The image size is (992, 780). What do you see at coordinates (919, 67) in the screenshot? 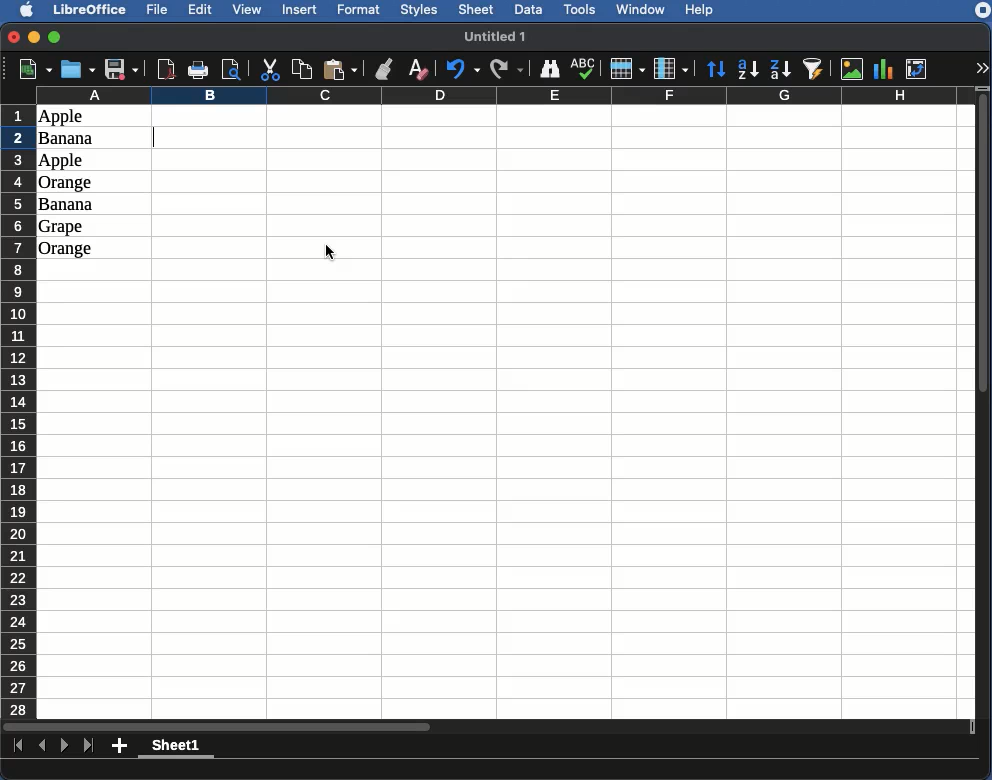
I see `Pivot table` at bounding box center [919, 67].